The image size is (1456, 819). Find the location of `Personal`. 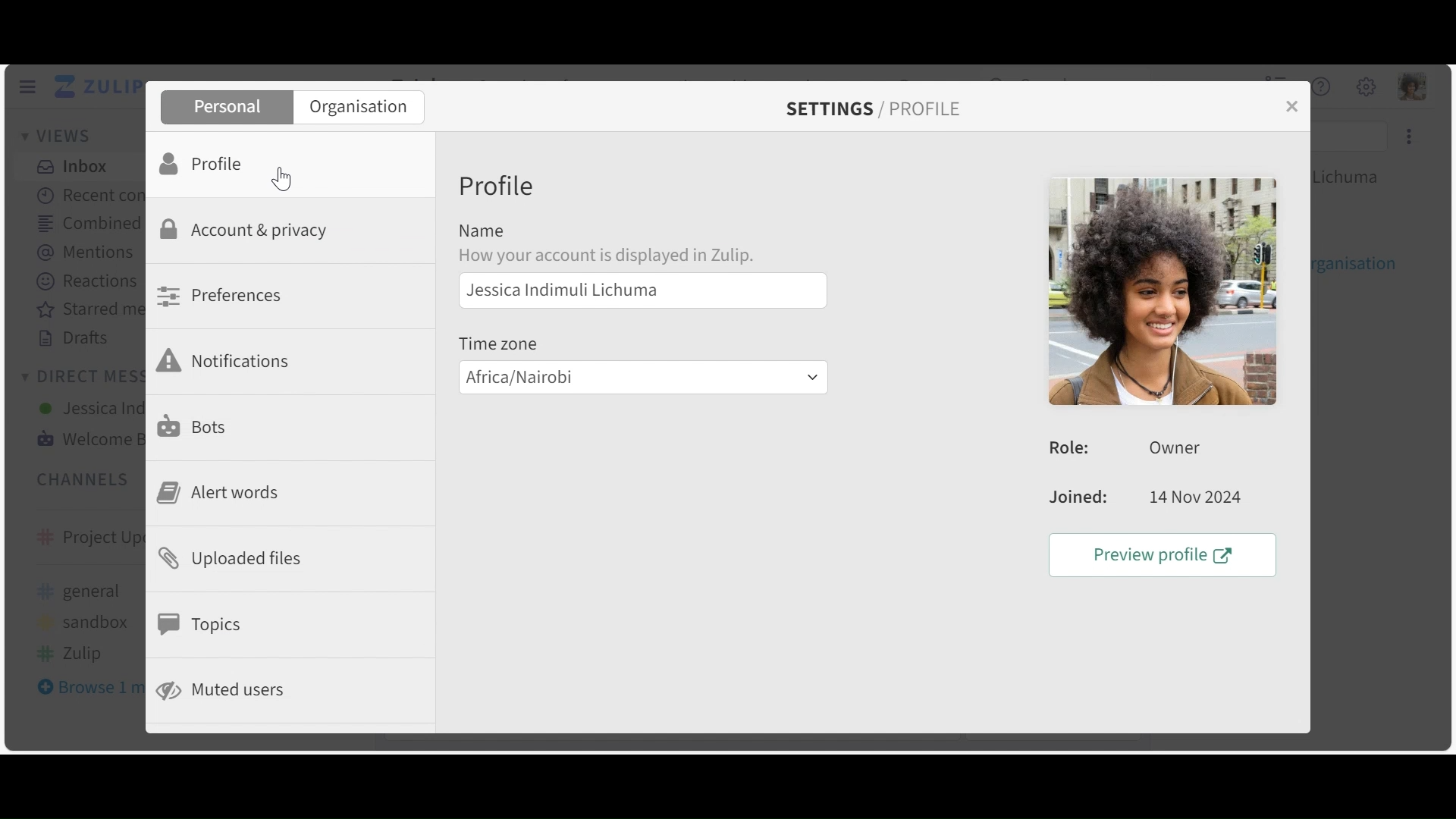

Personal is located at coordinates (226, 105).